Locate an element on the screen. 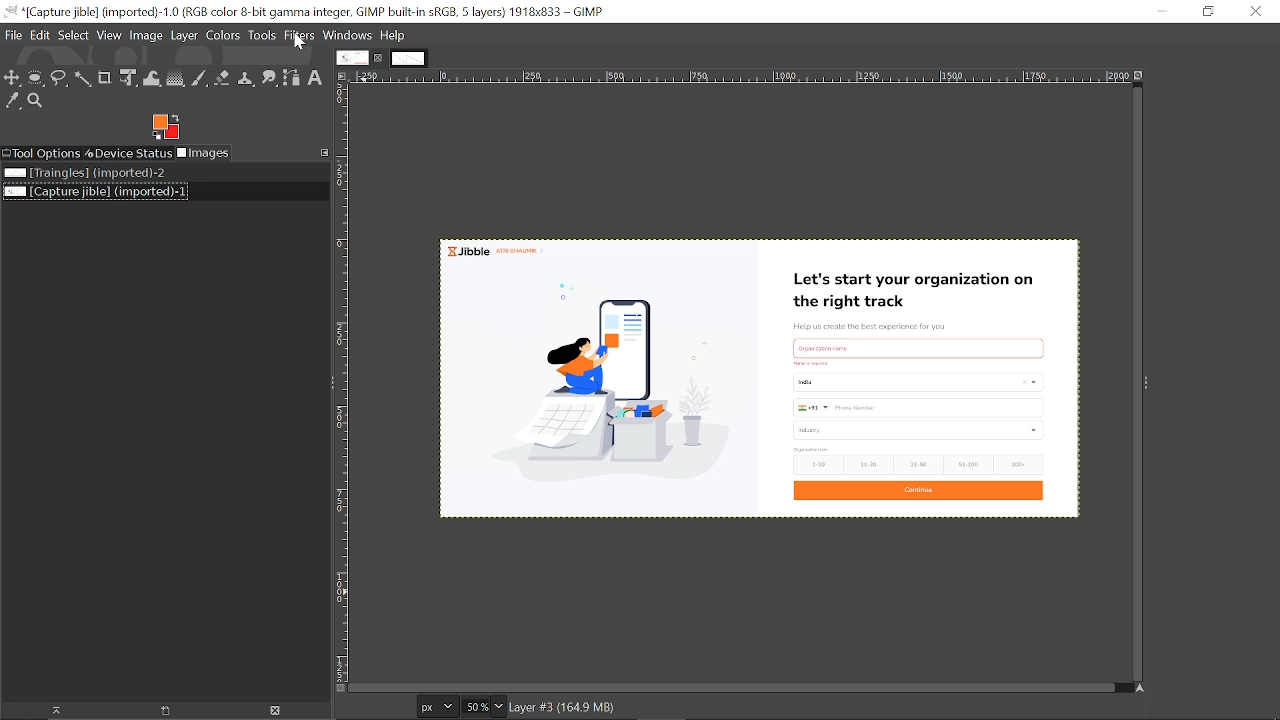 Image resolution: width=1280 pixels, height=720 pixels. Smudge tool is located at coordinates (270, 77).